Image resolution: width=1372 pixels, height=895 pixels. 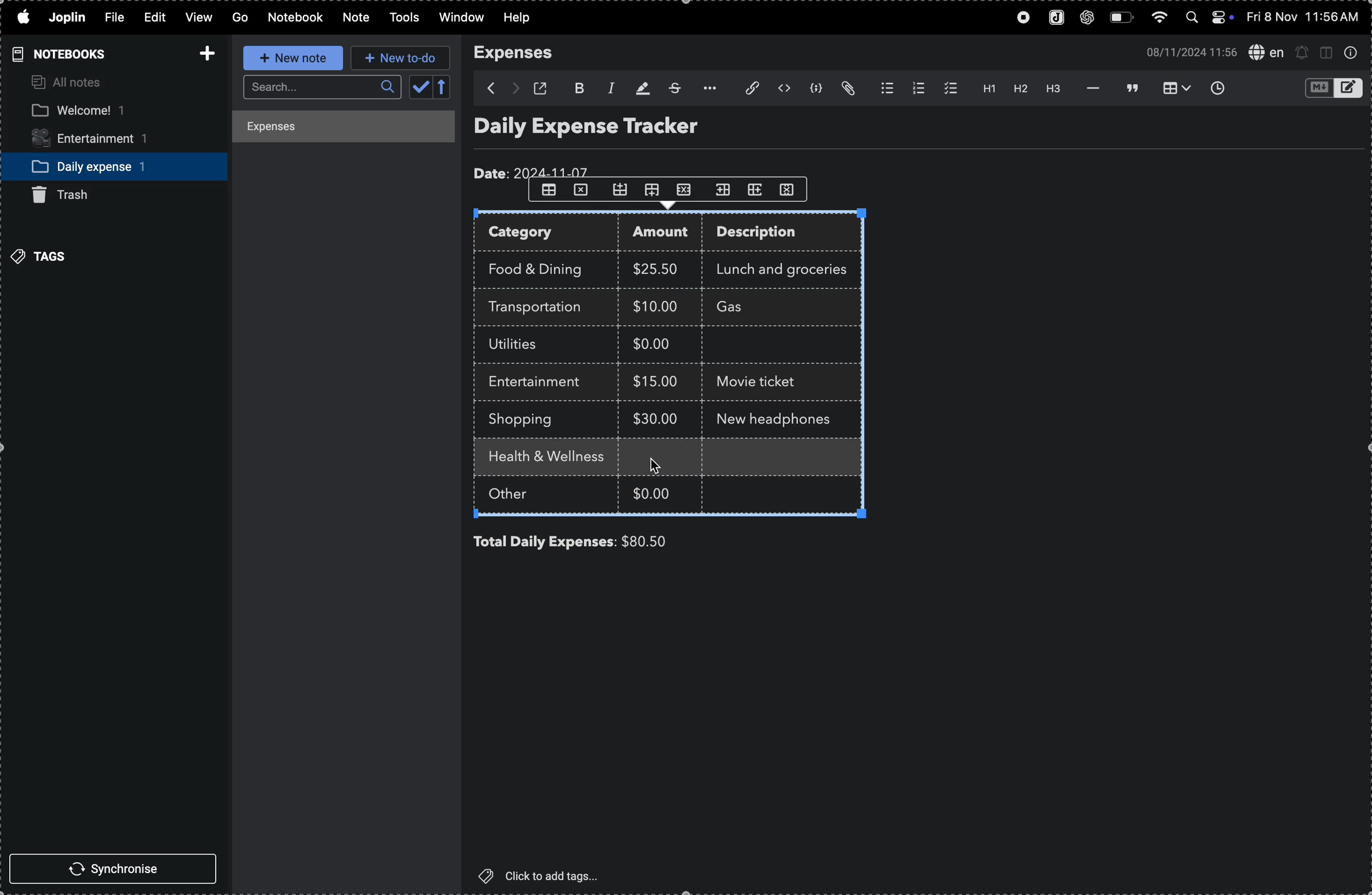 I want to click on spell check, so click(x=1265, y=51).